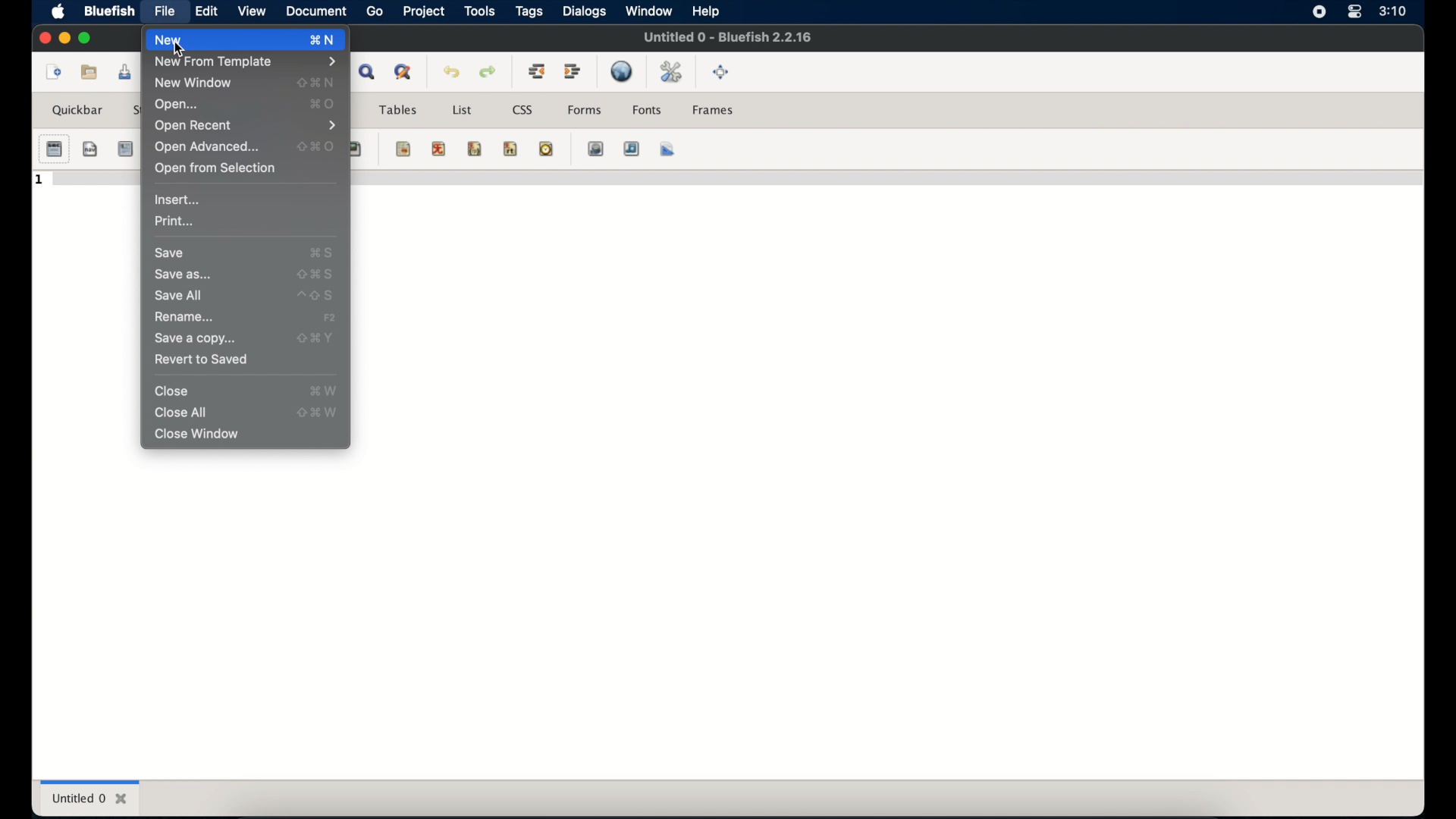 The height and width of the screenshot is (819, 1456). What do you see at coordinates (43, 38) in the screenshot?
I see `close` at bounding box center [43, 38].